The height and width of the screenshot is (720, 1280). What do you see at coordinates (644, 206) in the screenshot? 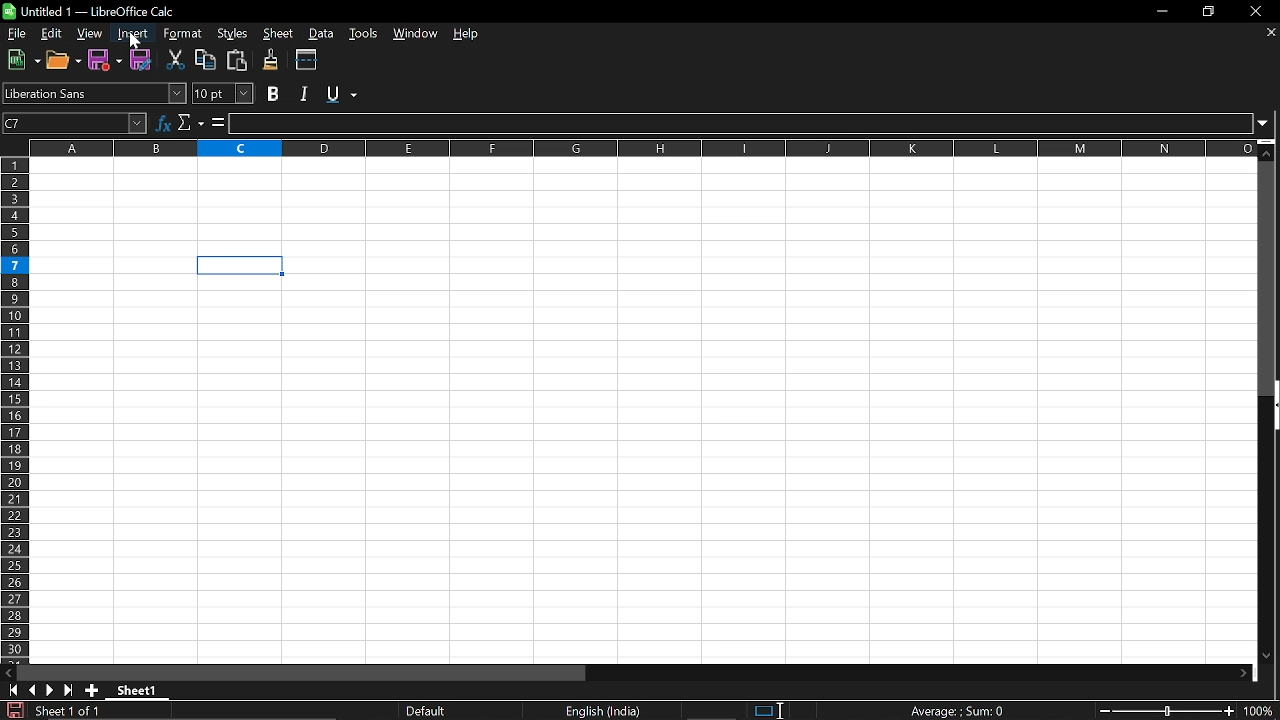
I see `Fillable cells` at bounding box center [644, 206].